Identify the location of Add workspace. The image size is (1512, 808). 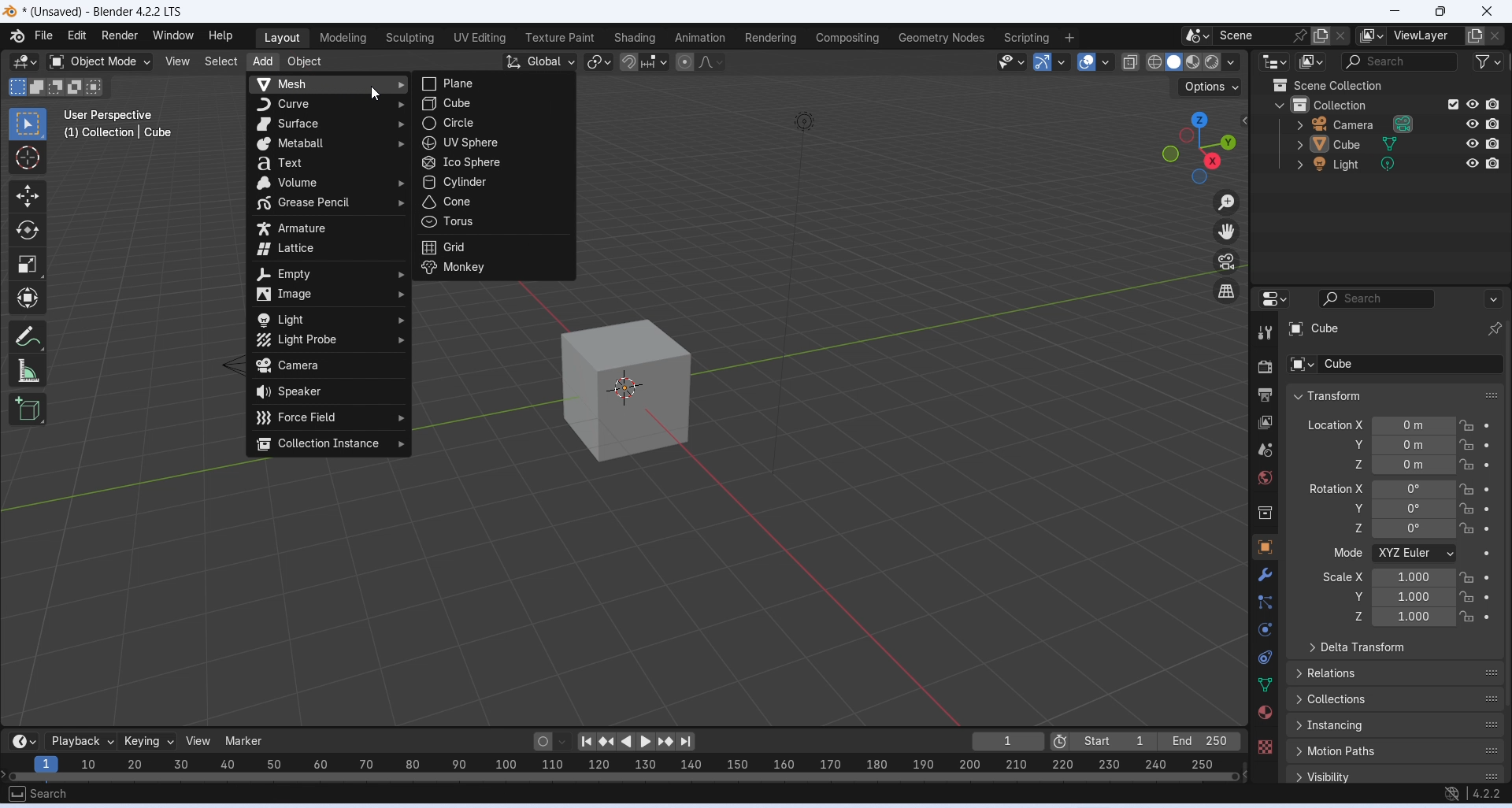
(1070, 38).